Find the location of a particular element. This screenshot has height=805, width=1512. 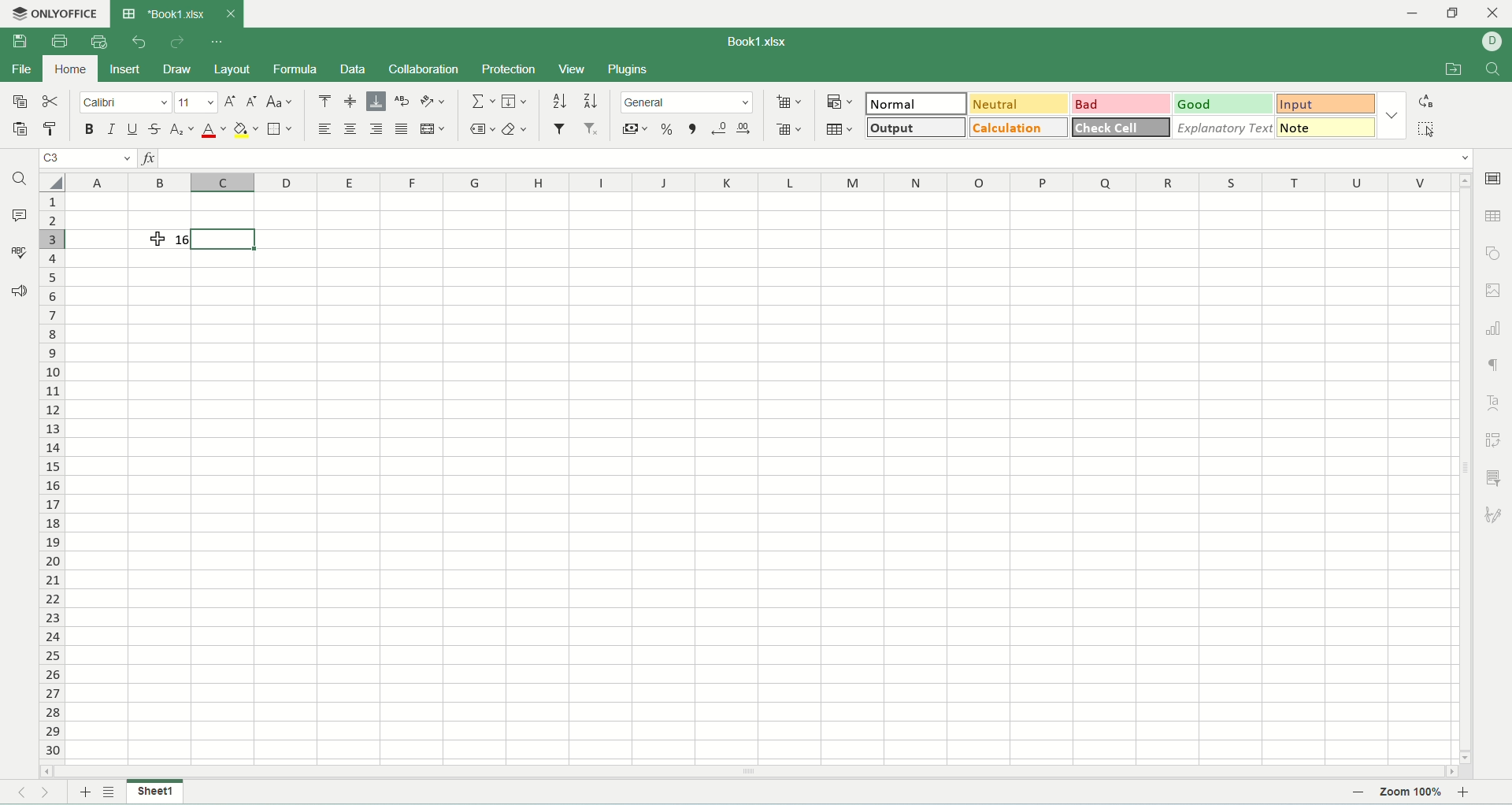

font size is located at coordinates (197, 102).